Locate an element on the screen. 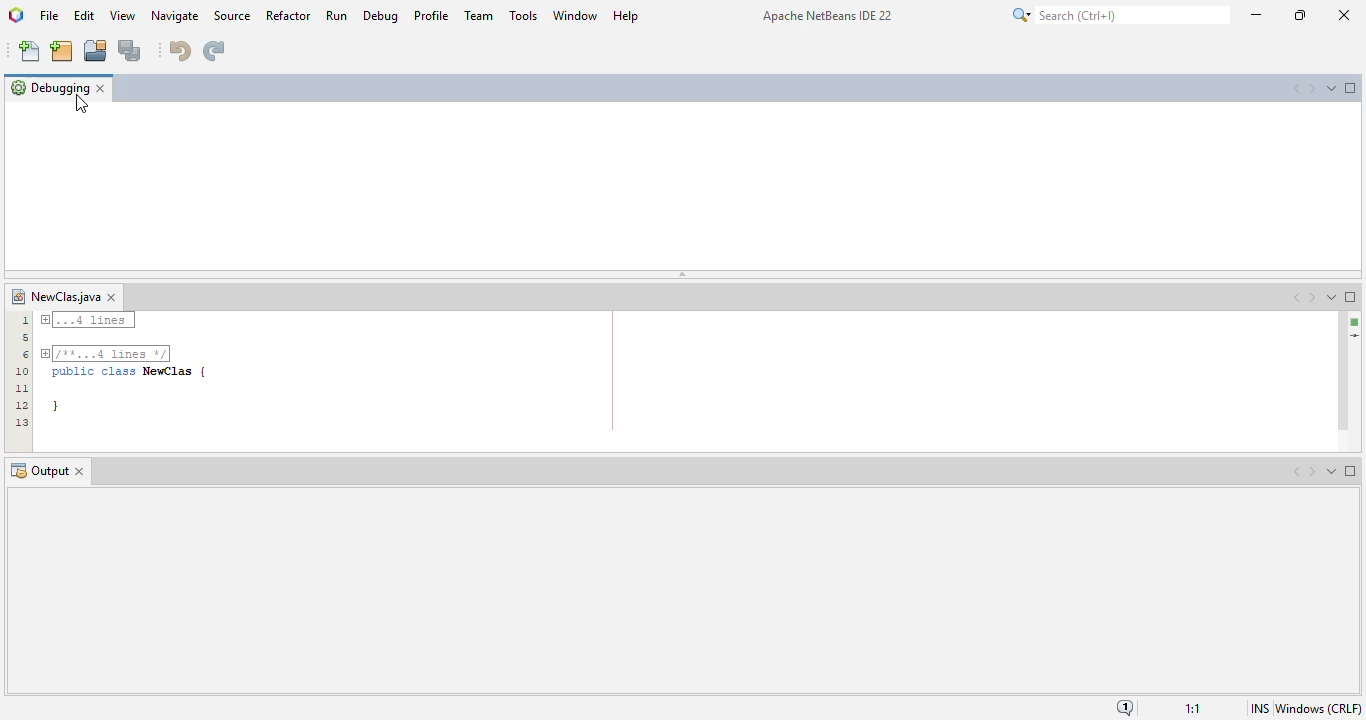 The image size is (1366, 720). close window is located at coordinates (112, 297).